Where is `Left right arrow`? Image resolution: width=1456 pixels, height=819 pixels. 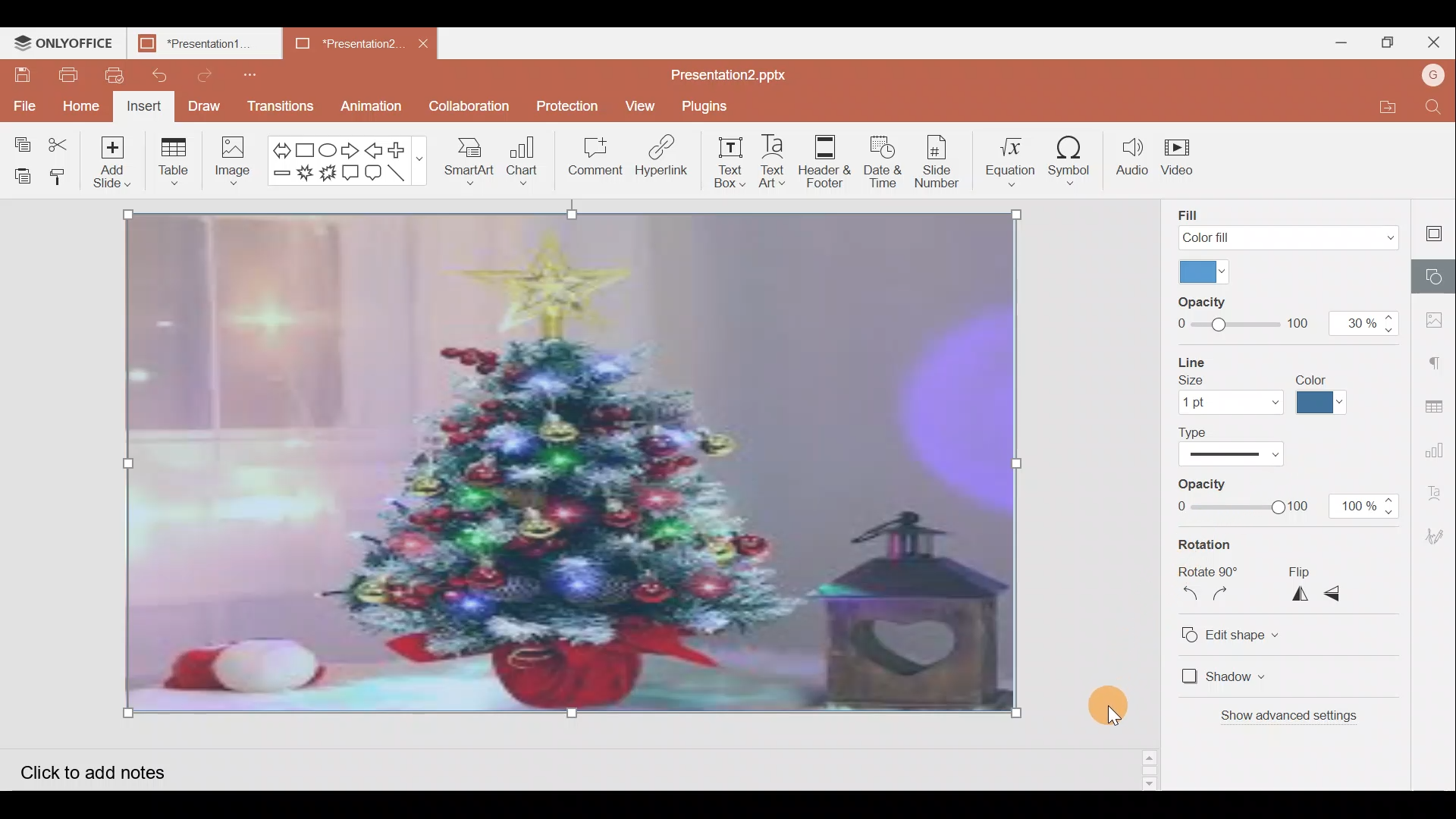
Left right arrow is located at coordinates (281, 146).